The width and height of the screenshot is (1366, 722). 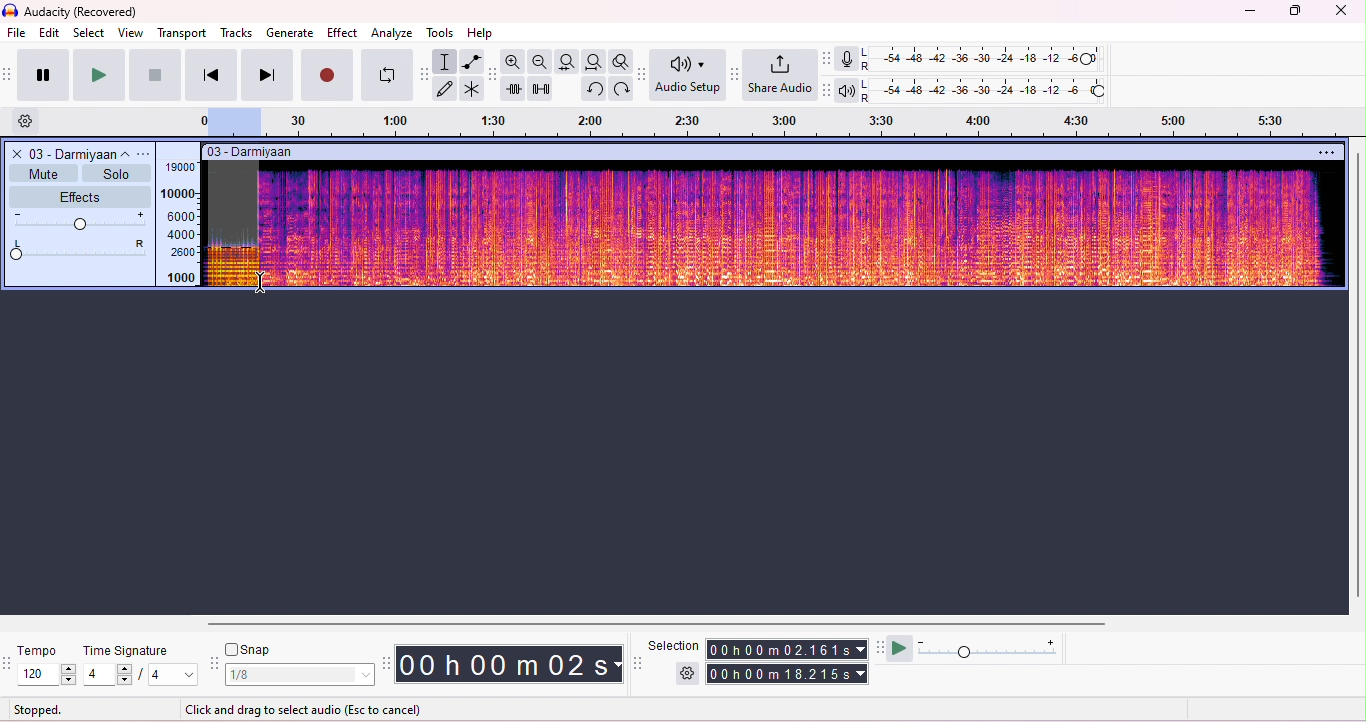 What do you see at coordinates (767, 123) in the screenshot?
I see `timeline` at bounding box center [767, 123].